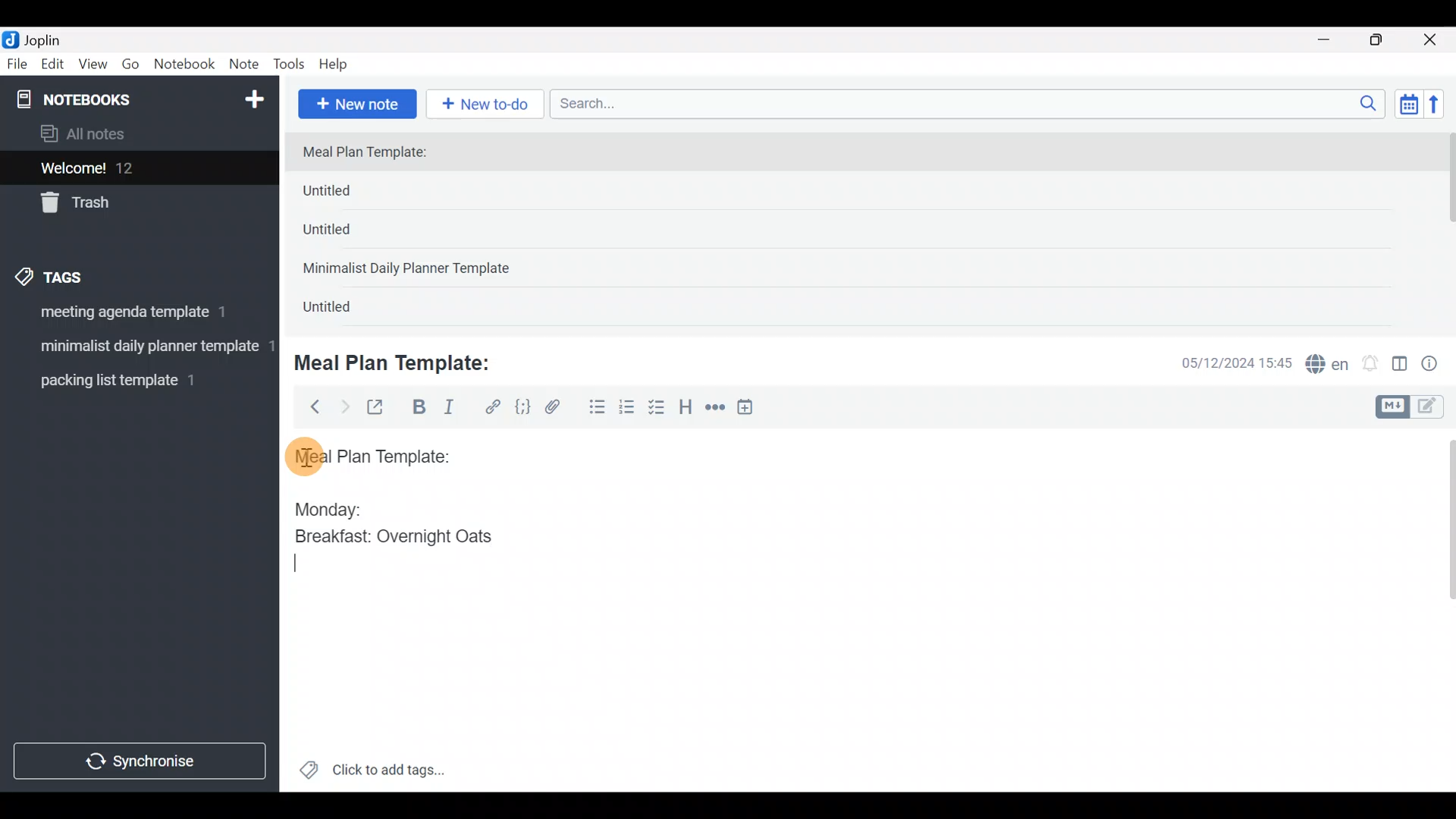  I want to click on Edit, so click(53, 67).